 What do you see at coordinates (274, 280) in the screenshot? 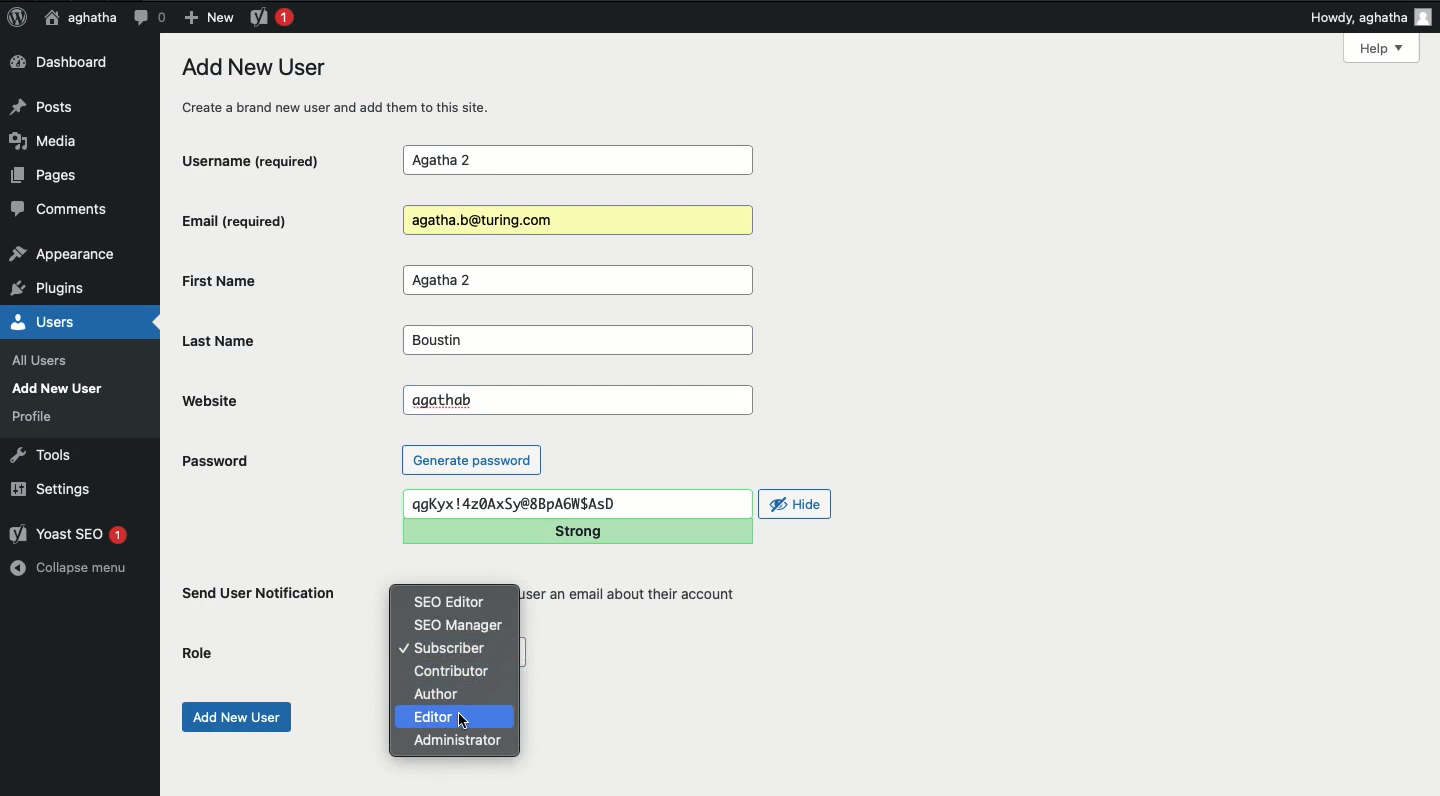
I see `First Name` at bounding box center [274, 280].